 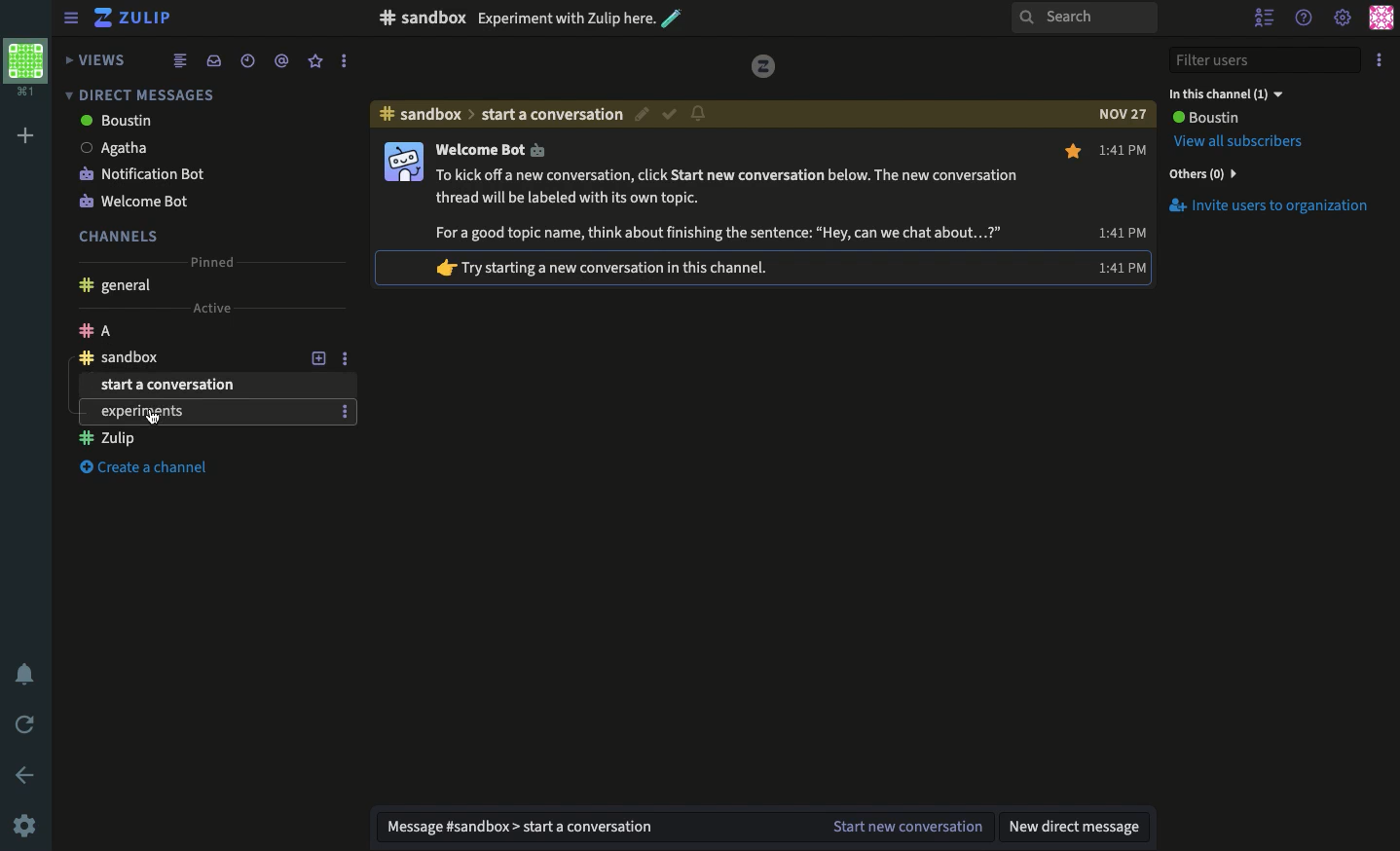 I want to click on Views, so click(x=98, y=59).